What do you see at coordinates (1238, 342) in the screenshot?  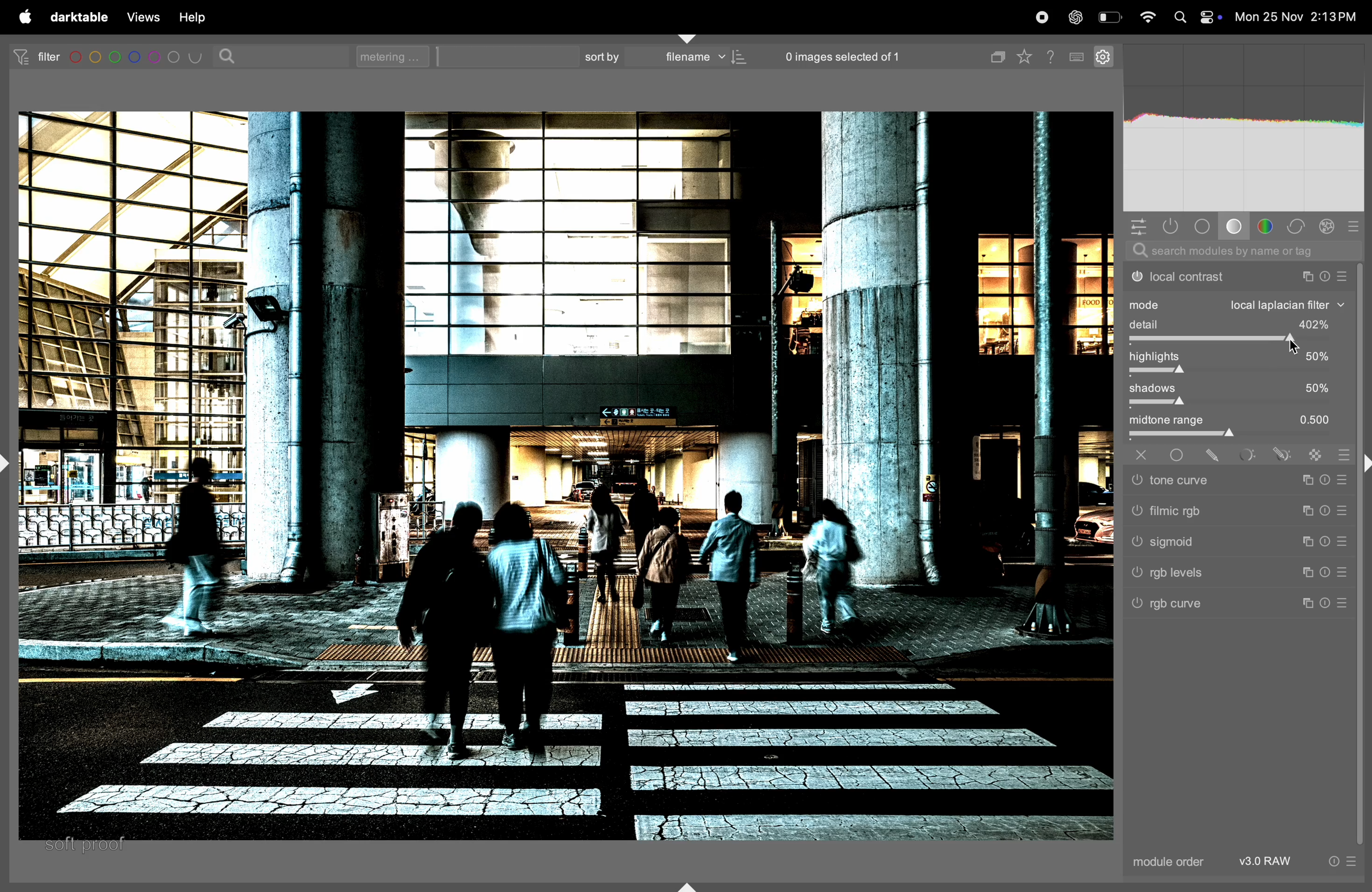 I see `toggle` at bounding box center [1238, 342].